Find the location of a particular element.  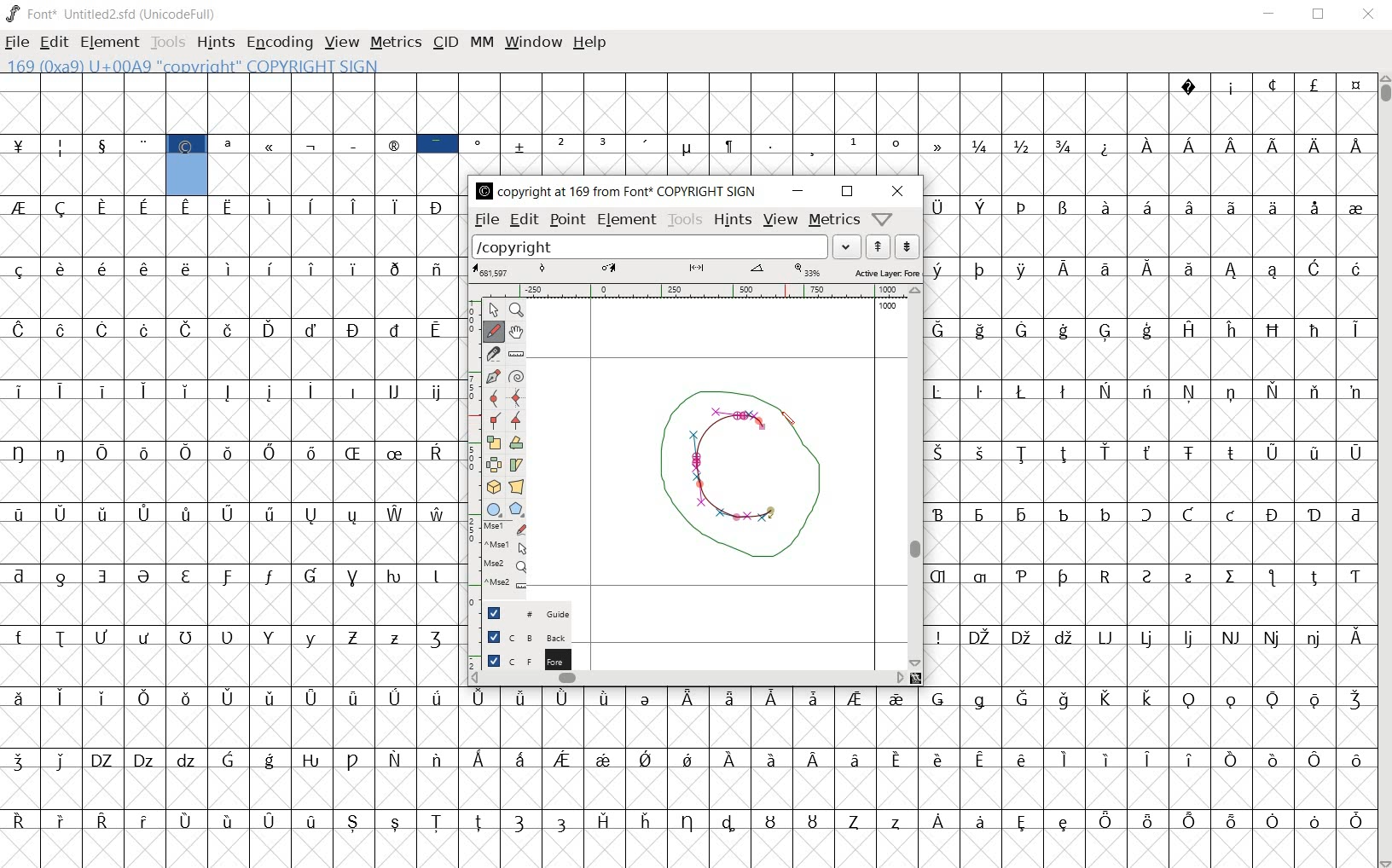

element is located at coordinates (109, 42).